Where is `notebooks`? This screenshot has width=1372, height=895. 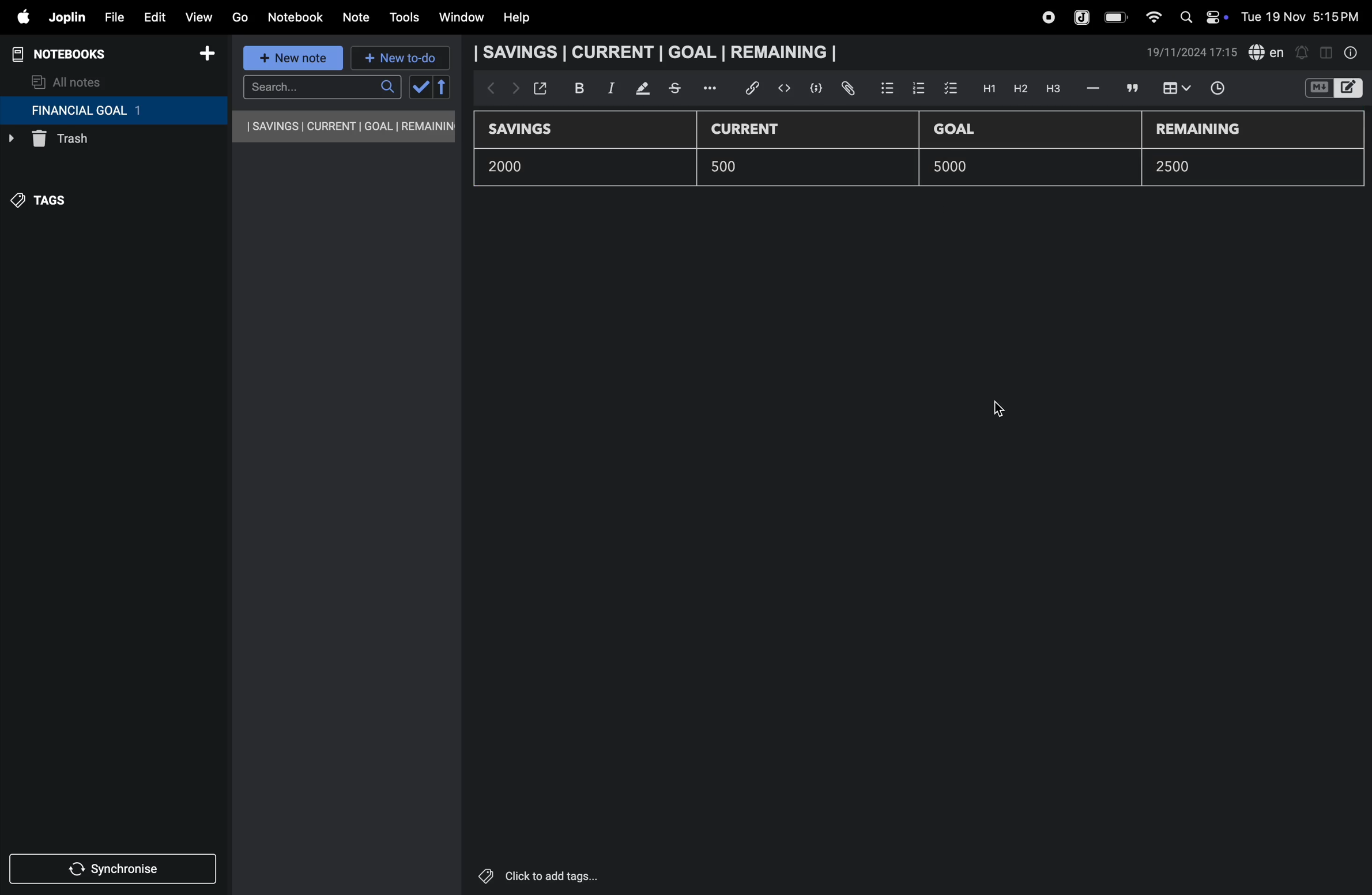 notebooks is located at coordinates (69, 54).